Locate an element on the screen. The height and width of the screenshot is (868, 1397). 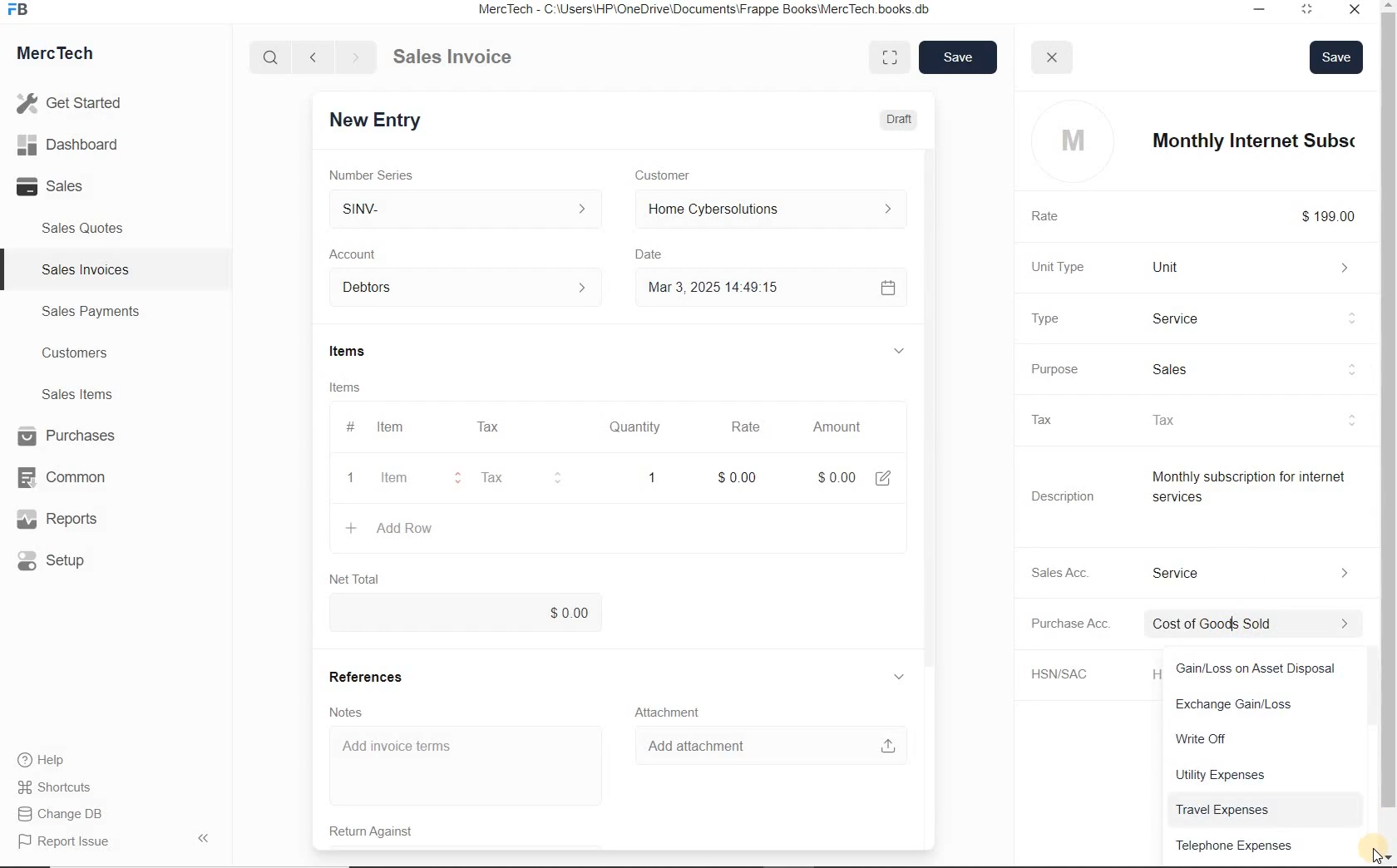
sales is located at coordinates (1267, 367).